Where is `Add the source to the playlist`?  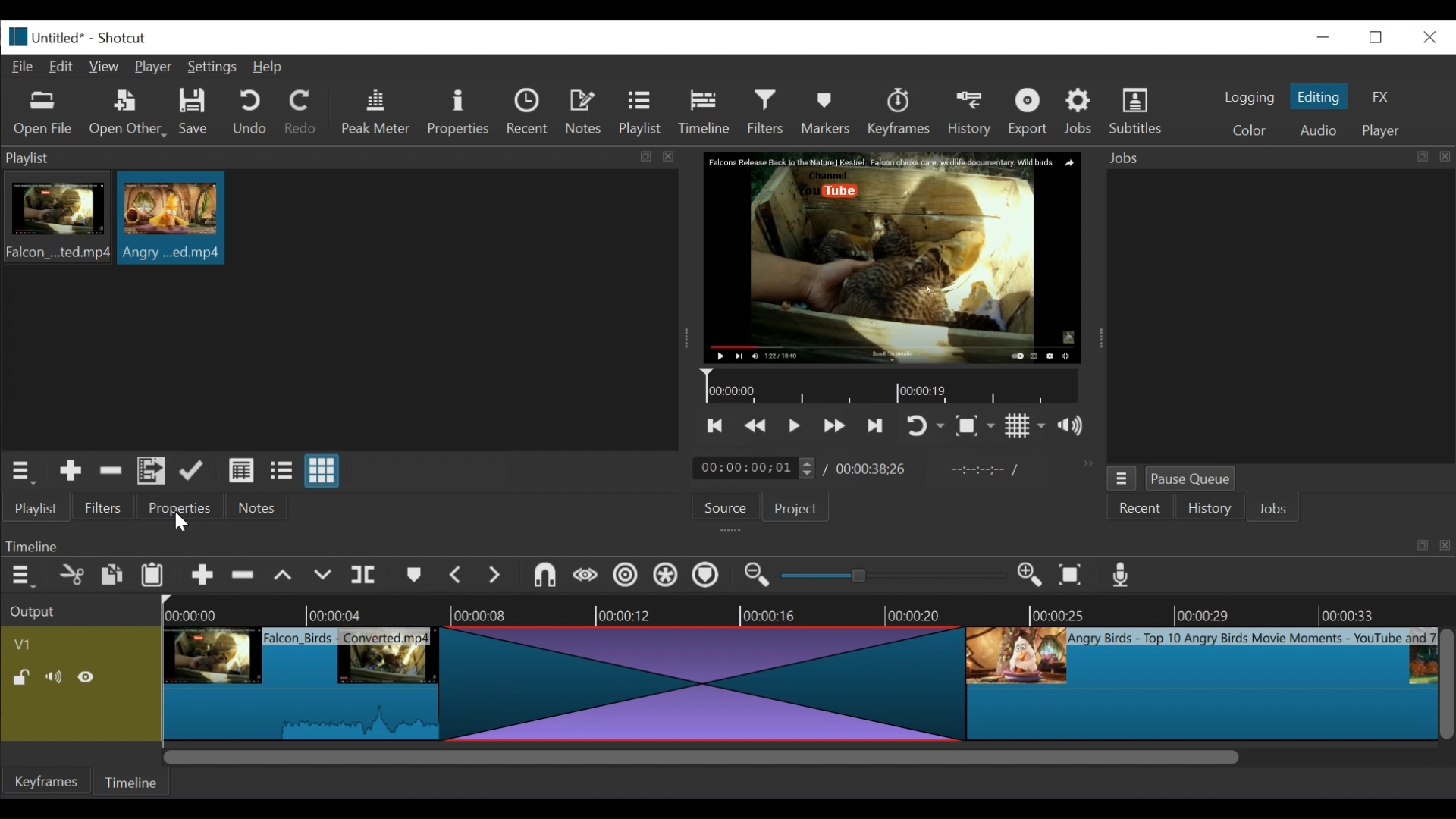
Add the source to the playlist is located at coordinates (69, 473).